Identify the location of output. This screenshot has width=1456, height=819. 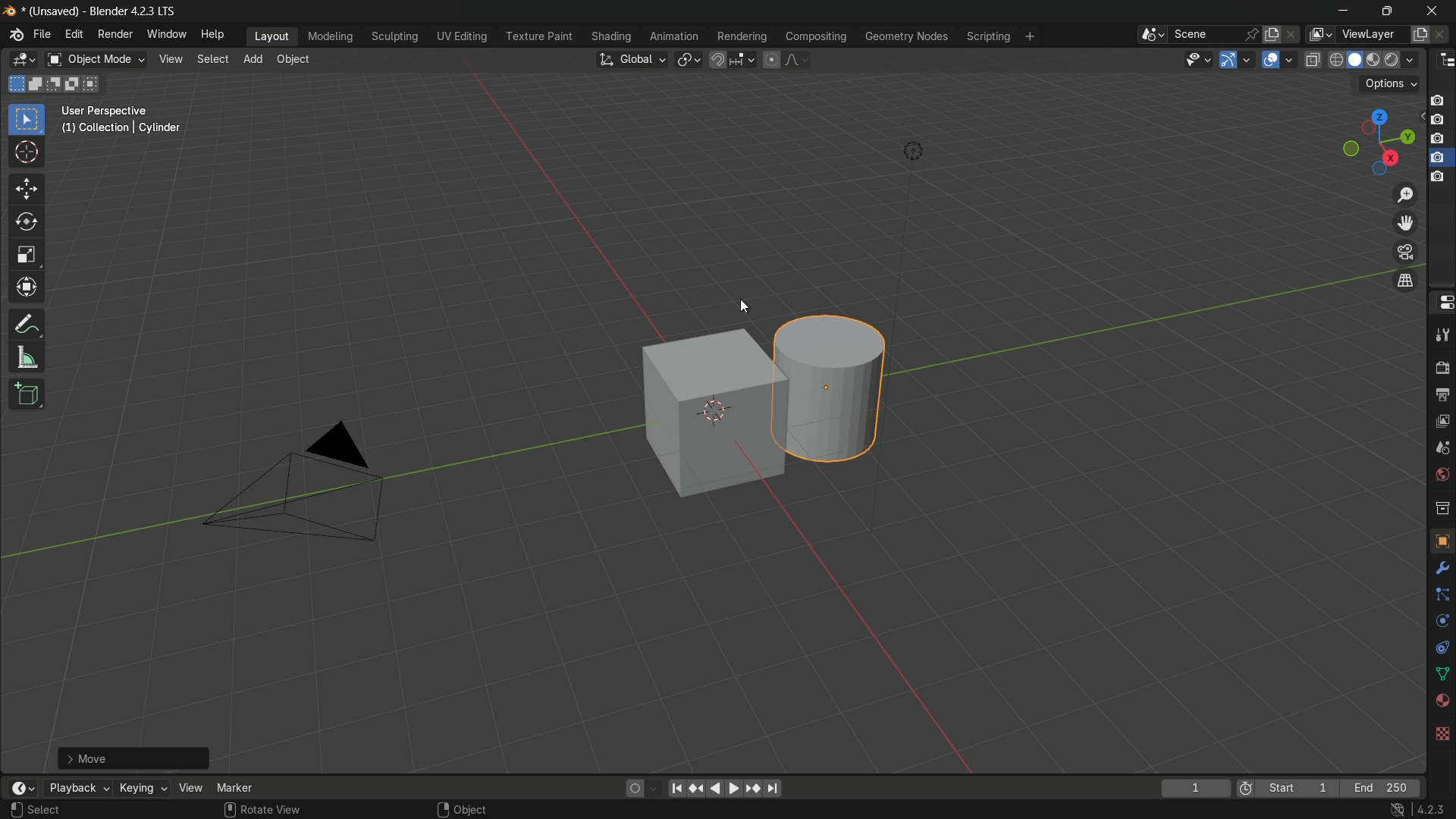
(1442, 396).